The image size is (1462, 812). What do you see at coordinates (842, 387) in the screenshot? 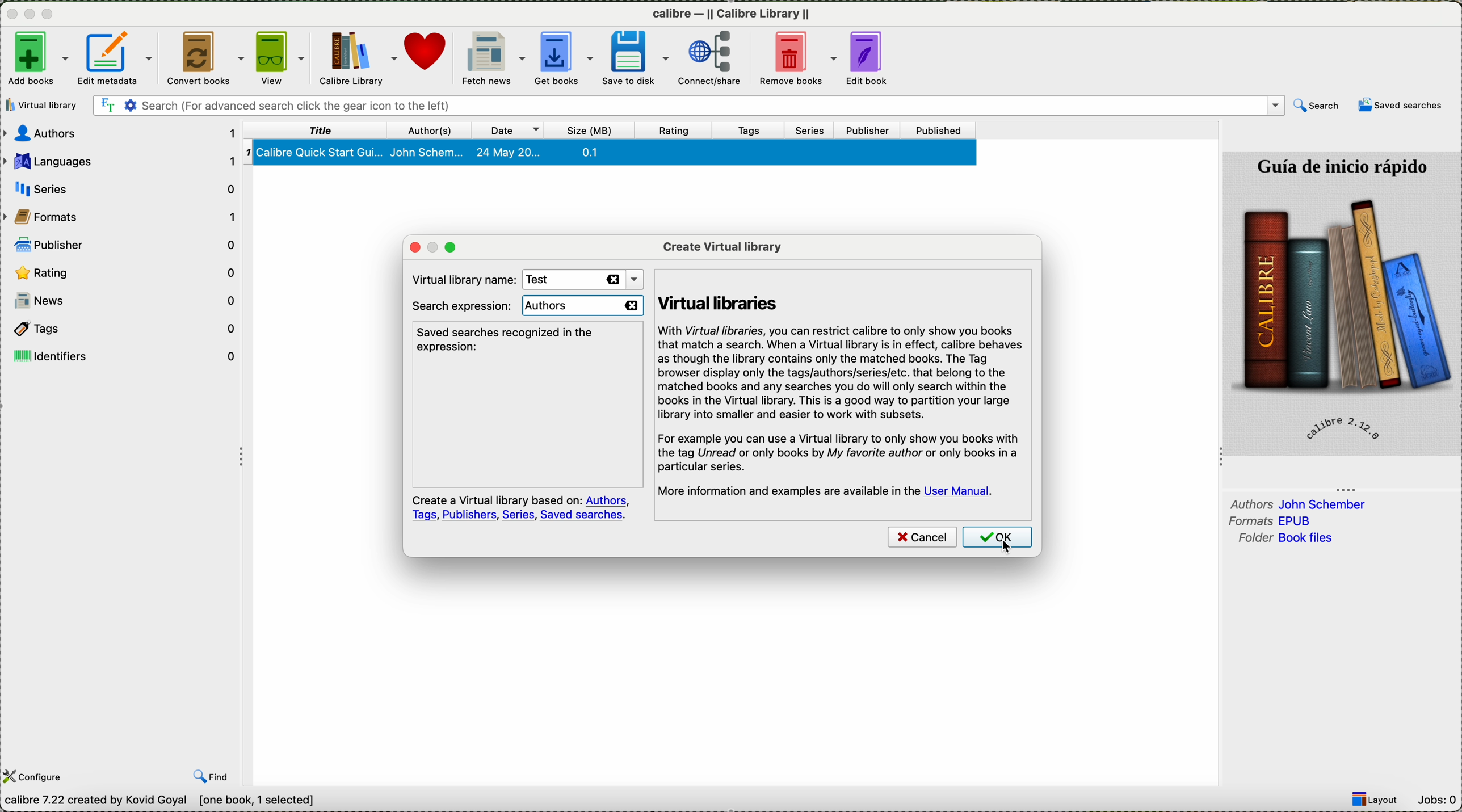
I see `virtual libraries with virtual libraries you can resist Callibre to only show you books that match a search .when a virtual library is in effect ,Callibre behave as  though the library contains only the match books. t tag browser display only tha lags that belong to the match book that you have searched in books in virtual library.this is good way to partition your bigg library into small parts and works in subset.more information and examples are available in user manual.` at bounding box center [842, 387].